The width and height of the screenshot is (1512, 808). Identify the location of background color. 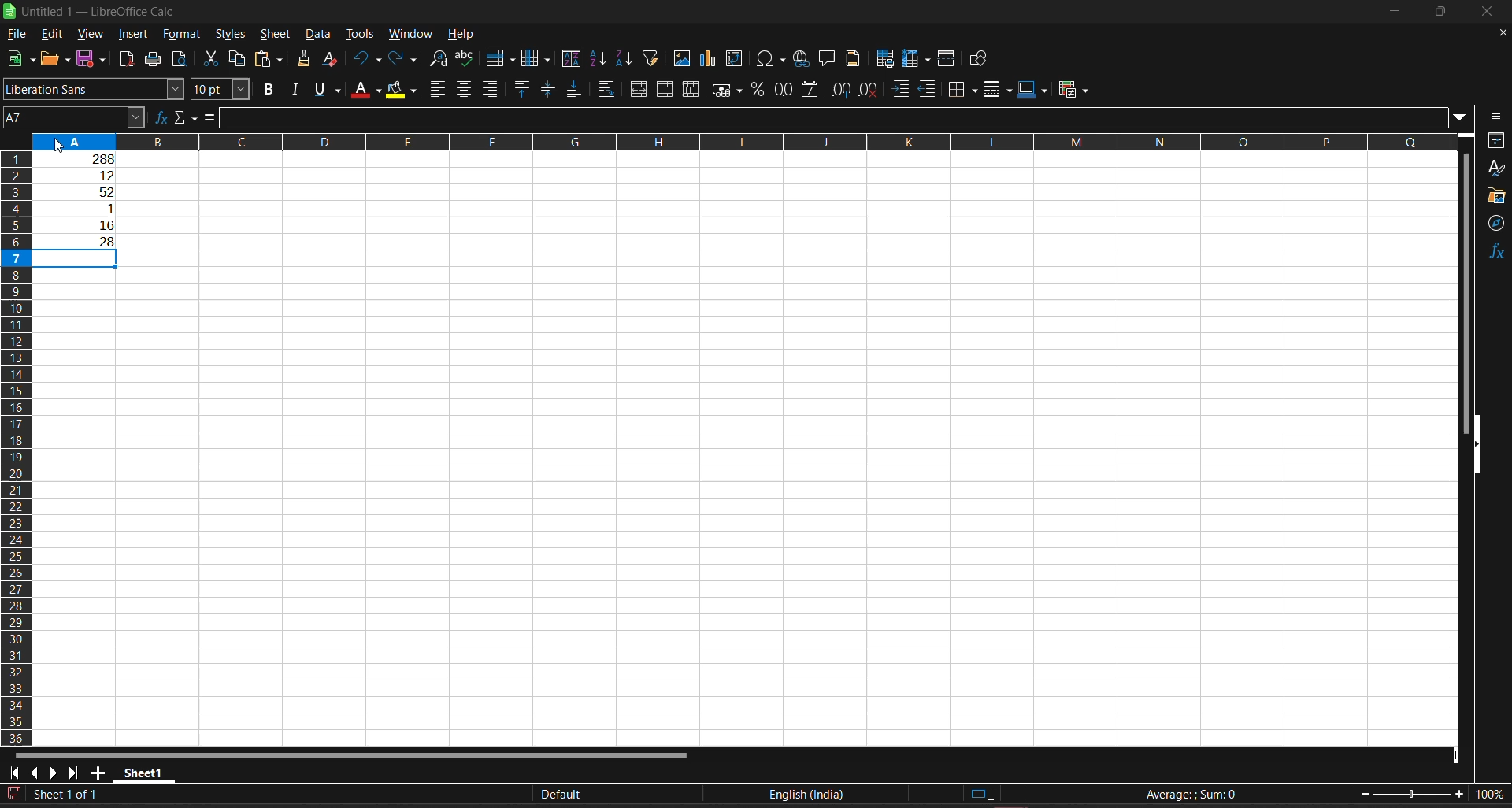
(400, 90).